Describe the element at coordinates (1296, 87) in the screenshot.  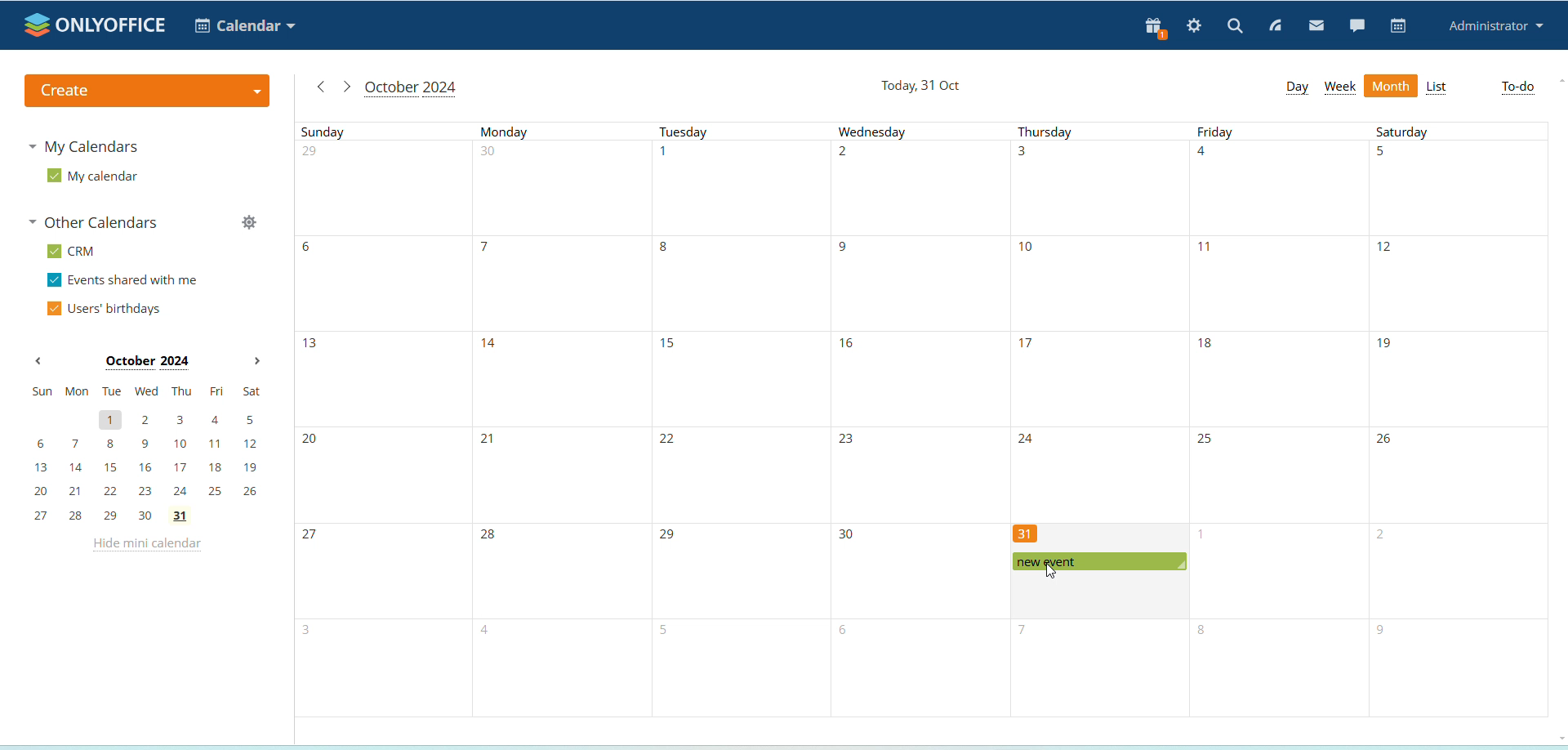
I see `day view` at that location.